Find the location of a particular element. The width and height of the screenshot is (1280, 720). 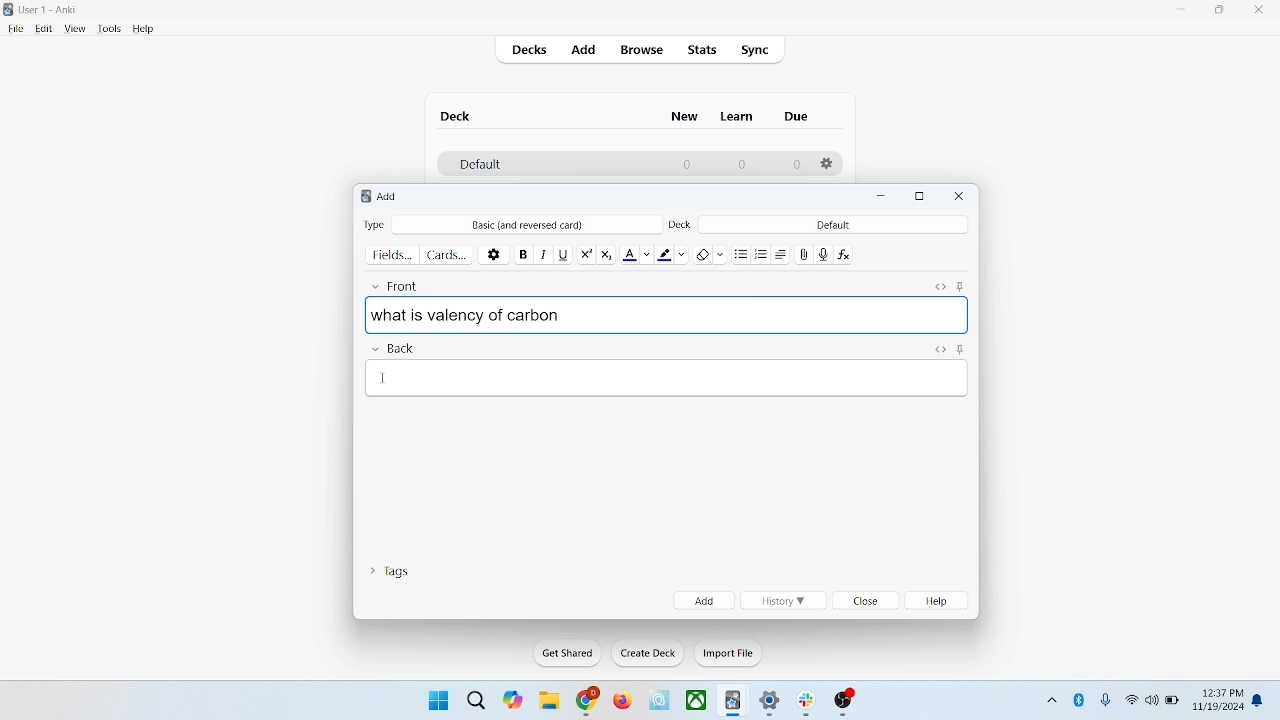

sticky is located at coordinates (960, 348).